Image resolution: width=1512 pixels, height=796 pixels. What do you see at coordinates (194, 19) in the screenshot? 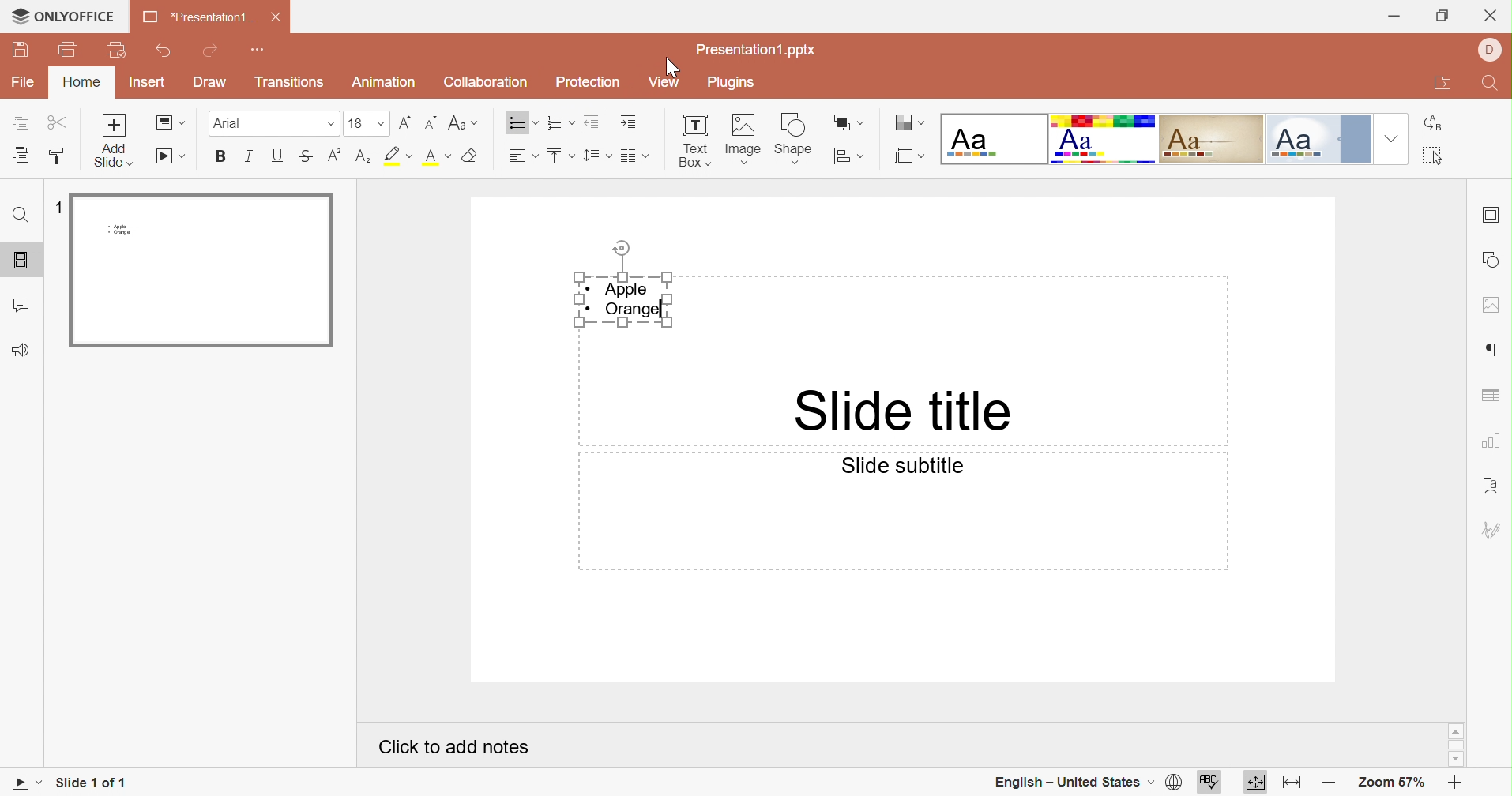
I see `Presentation1` at bounding box center [194, 19].